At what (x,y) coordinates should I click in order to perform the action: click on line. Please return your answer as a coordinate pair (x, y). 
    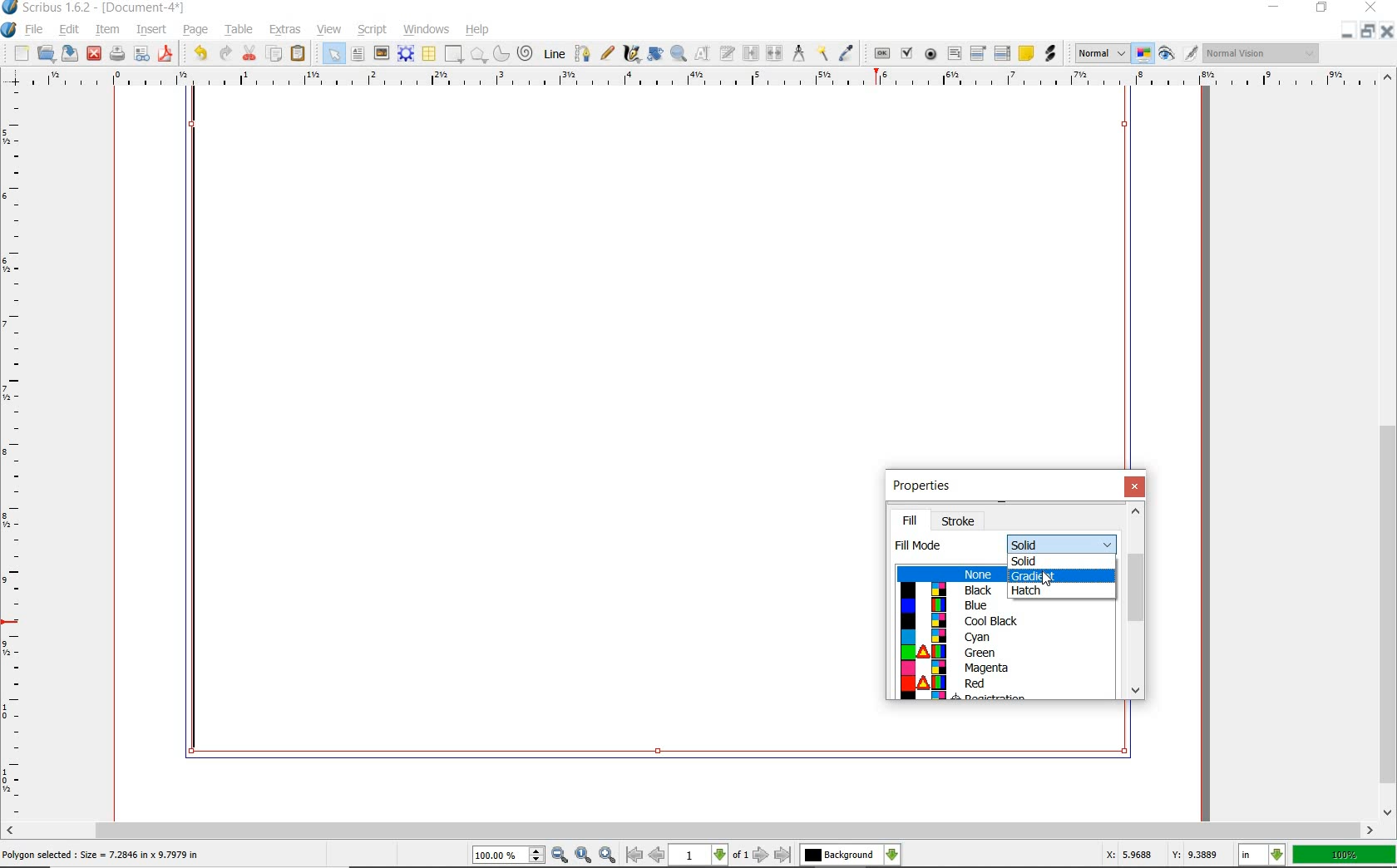
    Looking at the image, I should click on (554, 54).